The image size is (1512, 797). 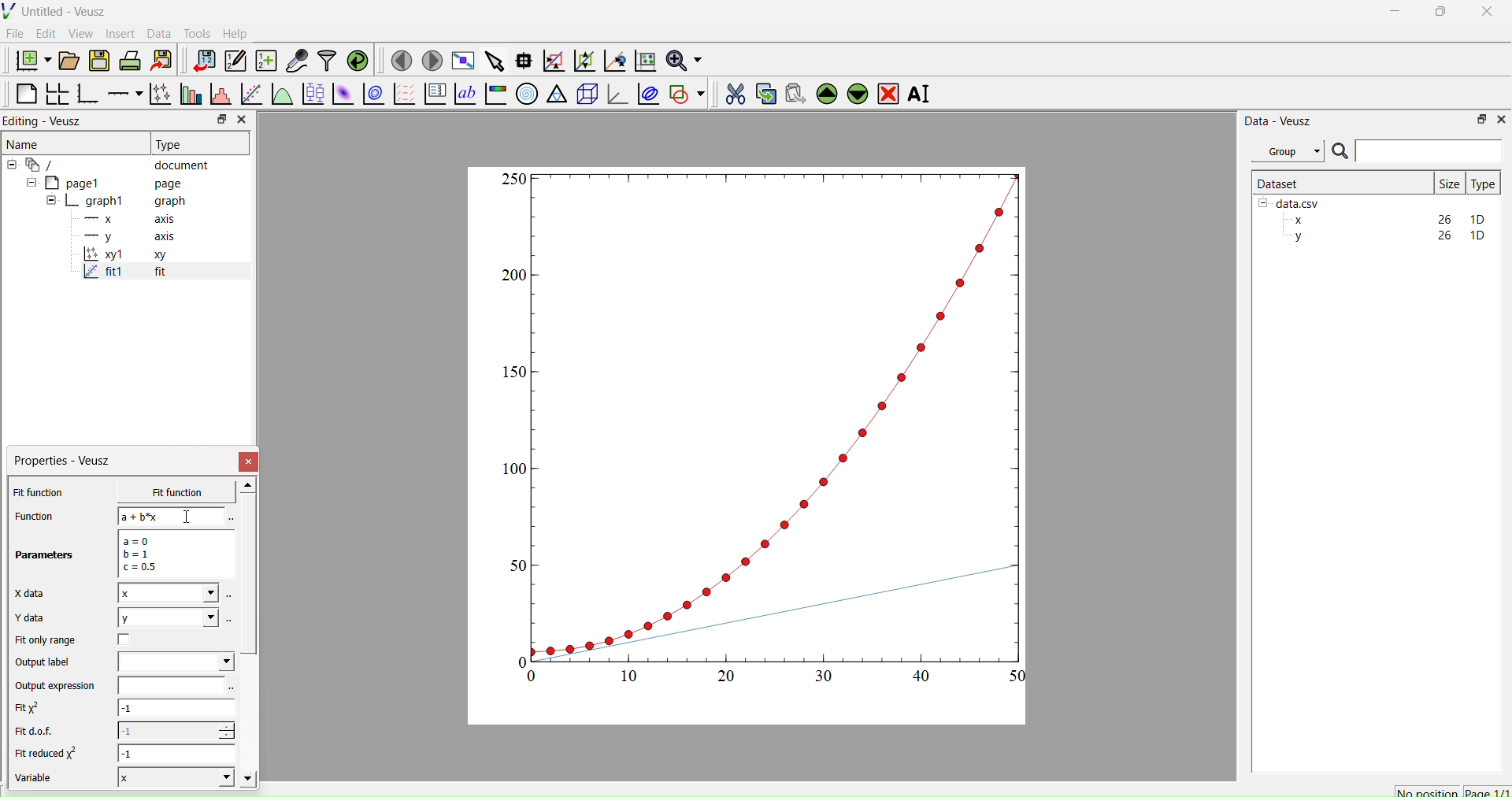 I want to click on x, so click(x=165, y=492).